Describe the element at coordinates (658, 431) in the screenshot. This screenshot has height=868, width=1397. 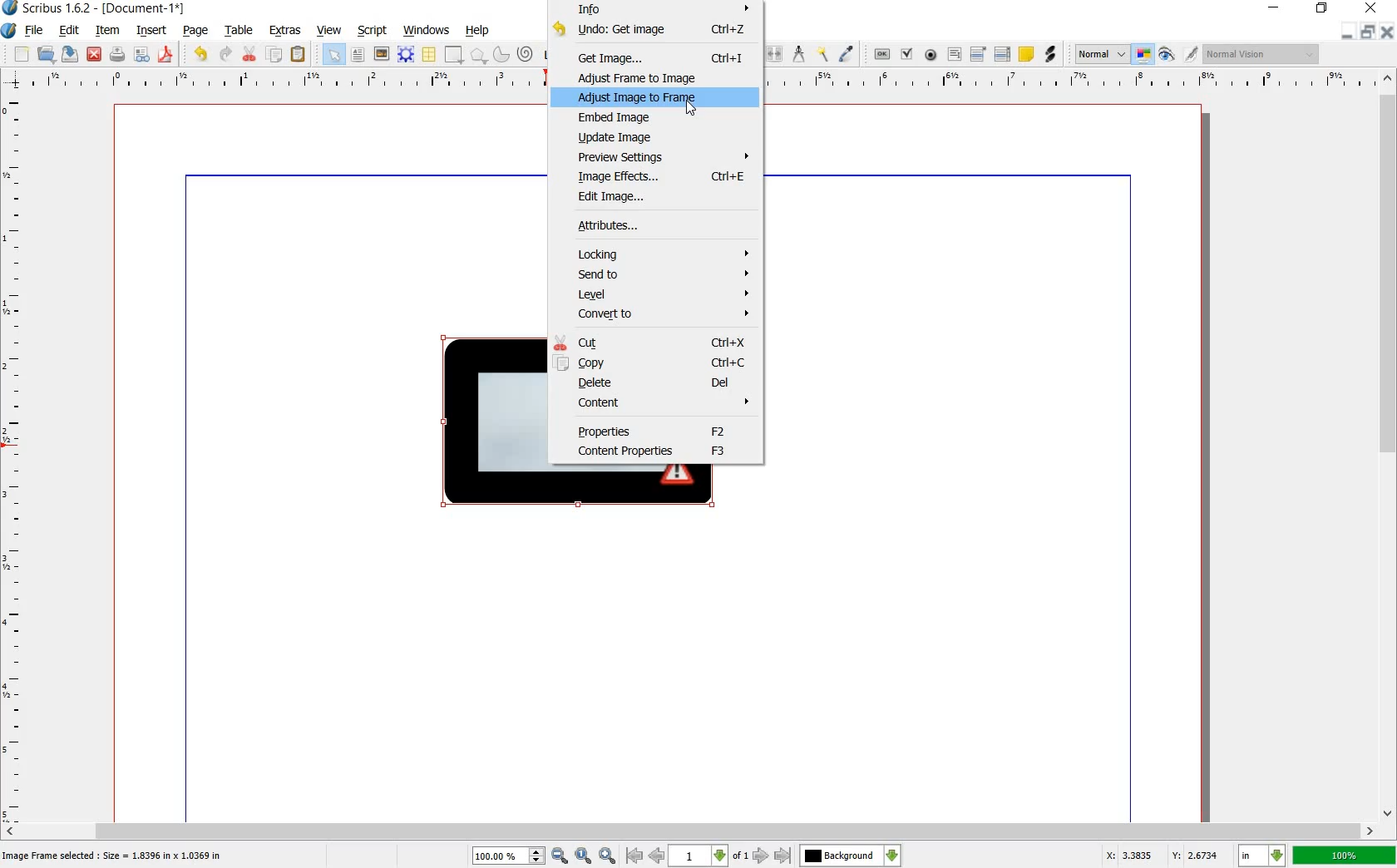
I see `properties` at that location.